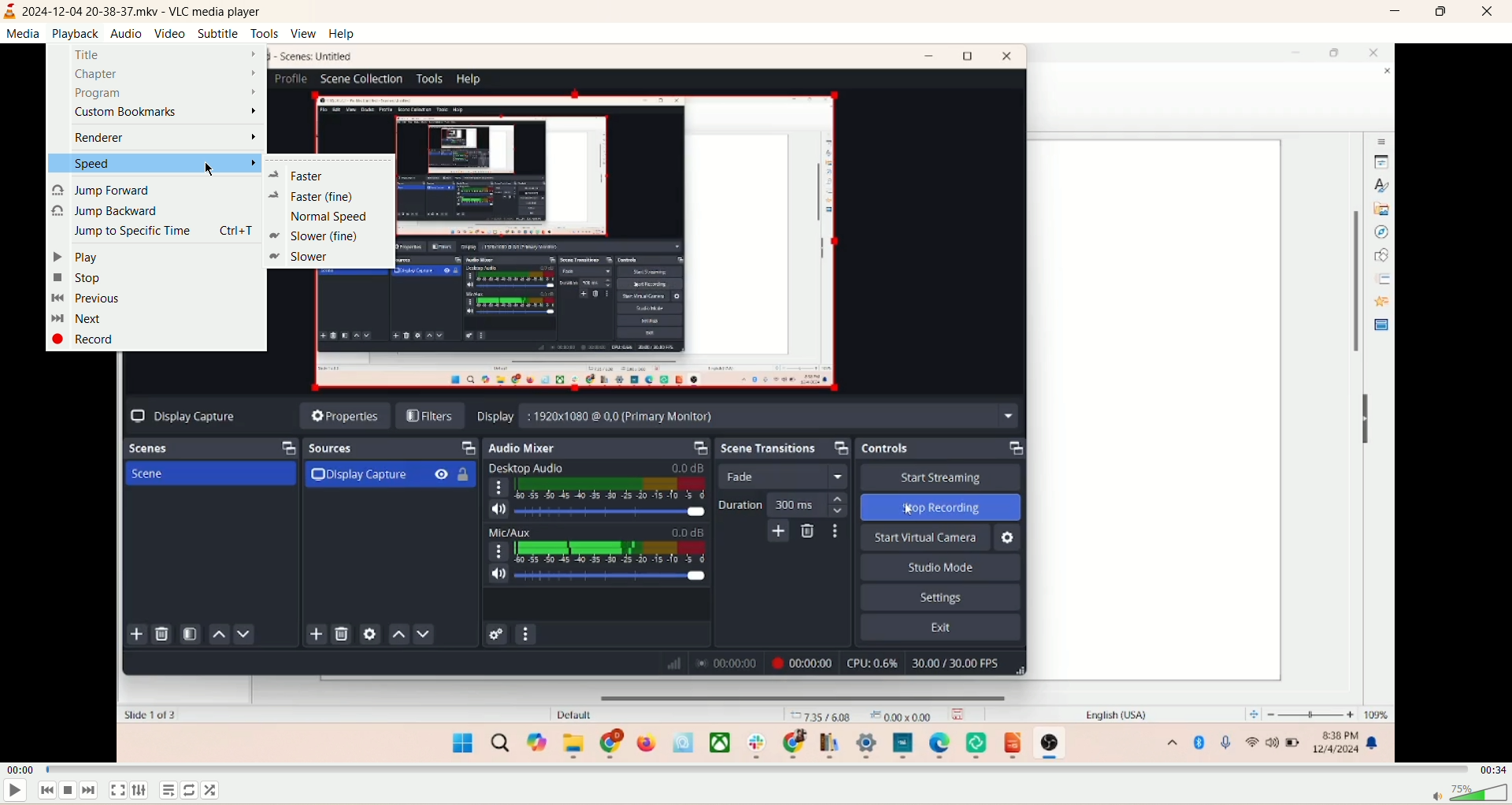  Describe the element at coordinates (76, 278) in the screenshot. I see `stop` at that location.